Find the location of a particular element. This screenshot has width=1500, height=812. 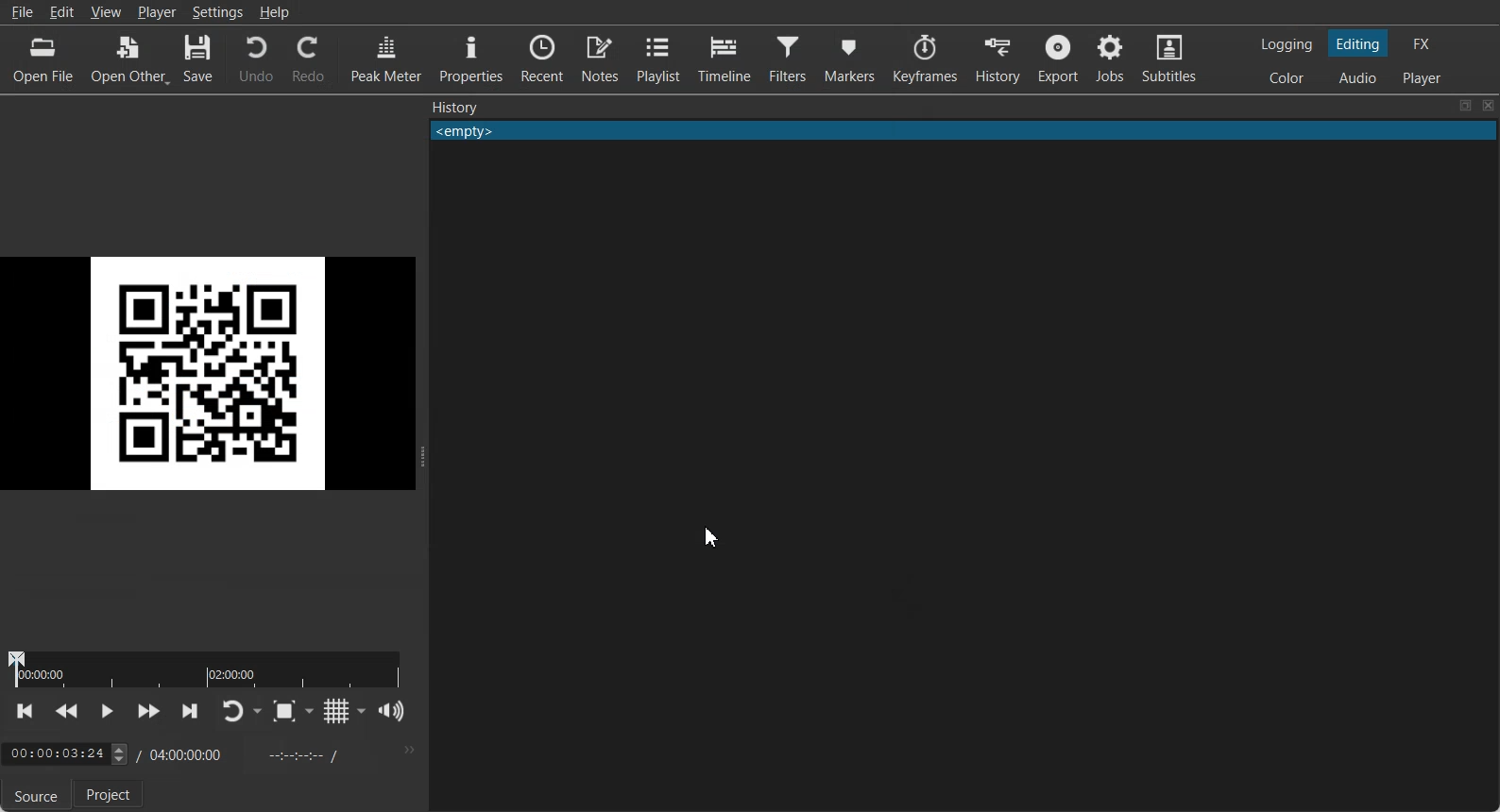

Switching to Audio Layout is located at coordinates (1358, 76).